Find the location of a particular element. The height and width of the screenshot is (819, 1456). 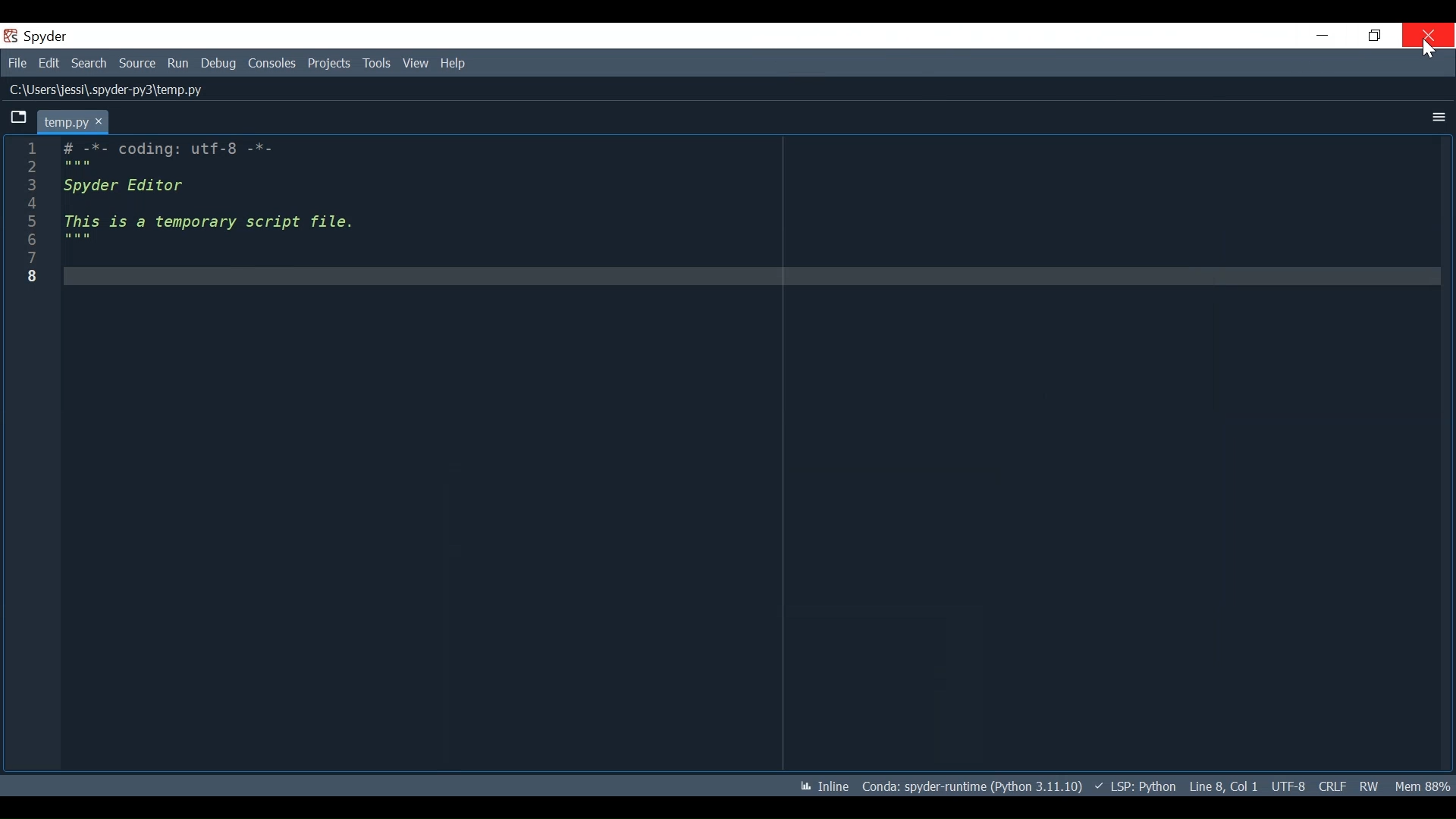

Projects is located at coordinates (329, 64).